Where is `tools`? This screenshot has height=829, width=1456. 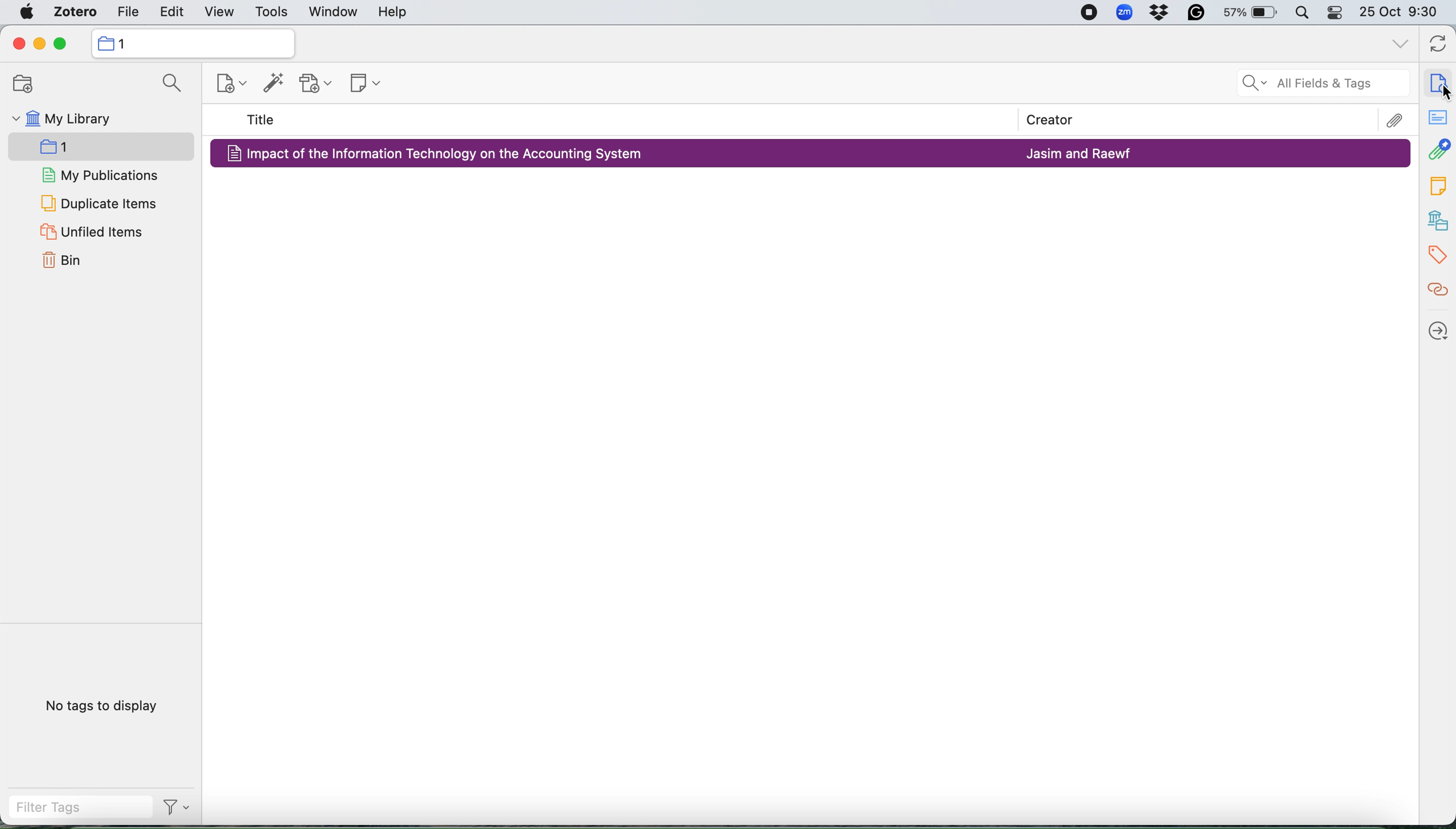 tools is located at coordinates (272, 11).